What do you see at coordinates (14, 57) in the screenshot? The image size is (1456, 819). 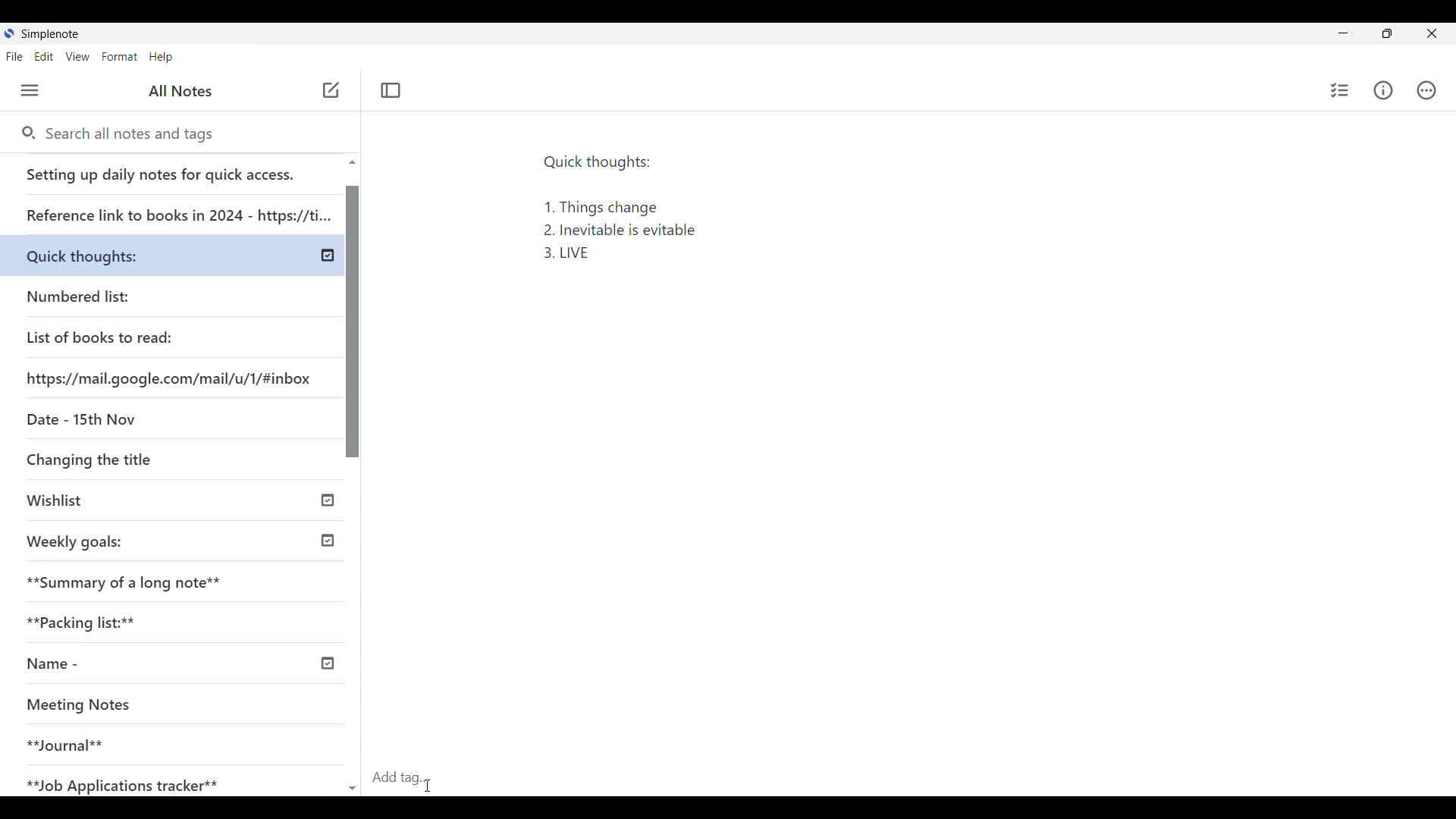 I see `File menu` at bounding box center [14, 57].